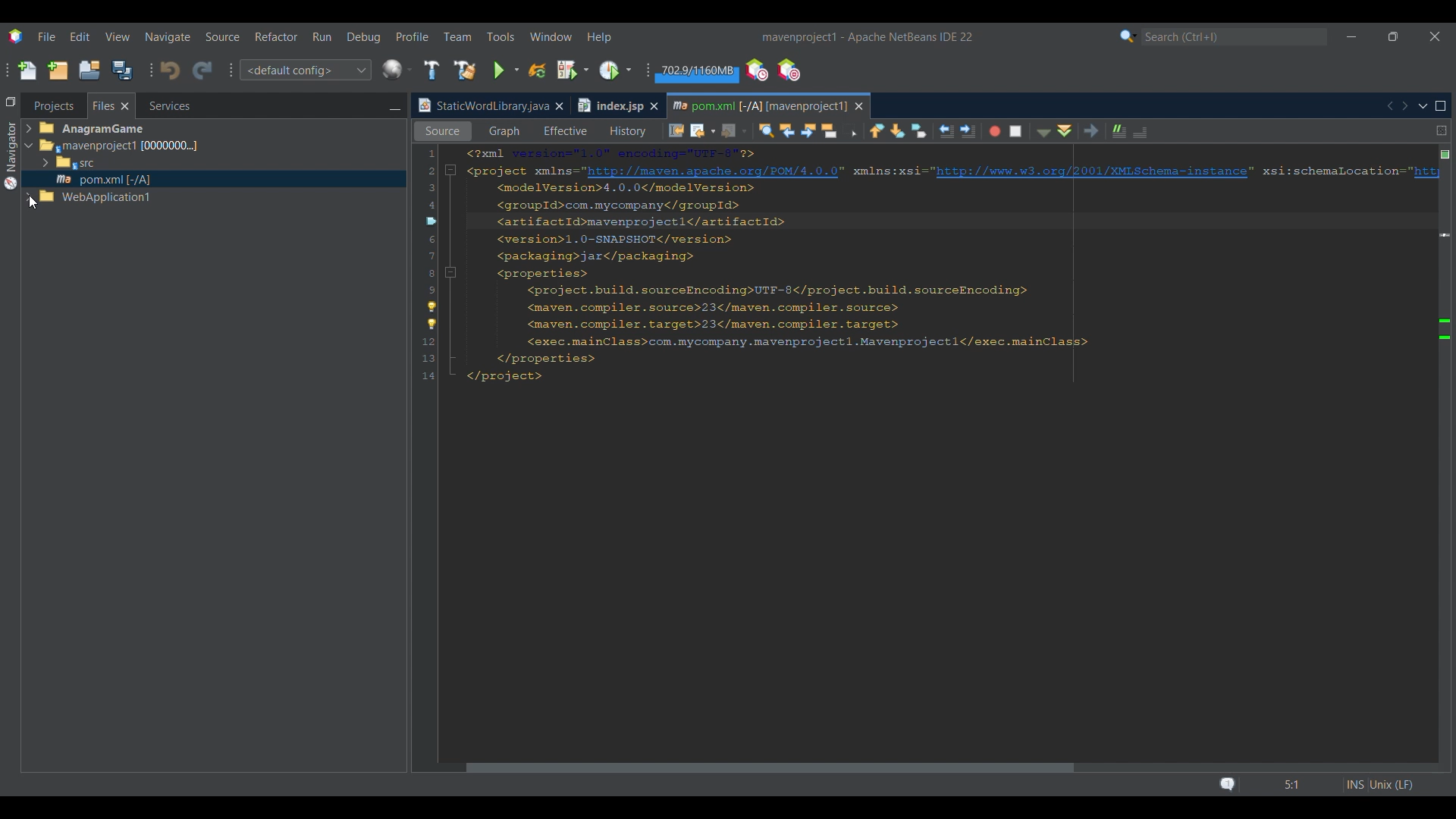  What do you see at coordinates (788, 70) in the screenshot?
I see `Pause I/O checks` at bounding box center [788, 70].